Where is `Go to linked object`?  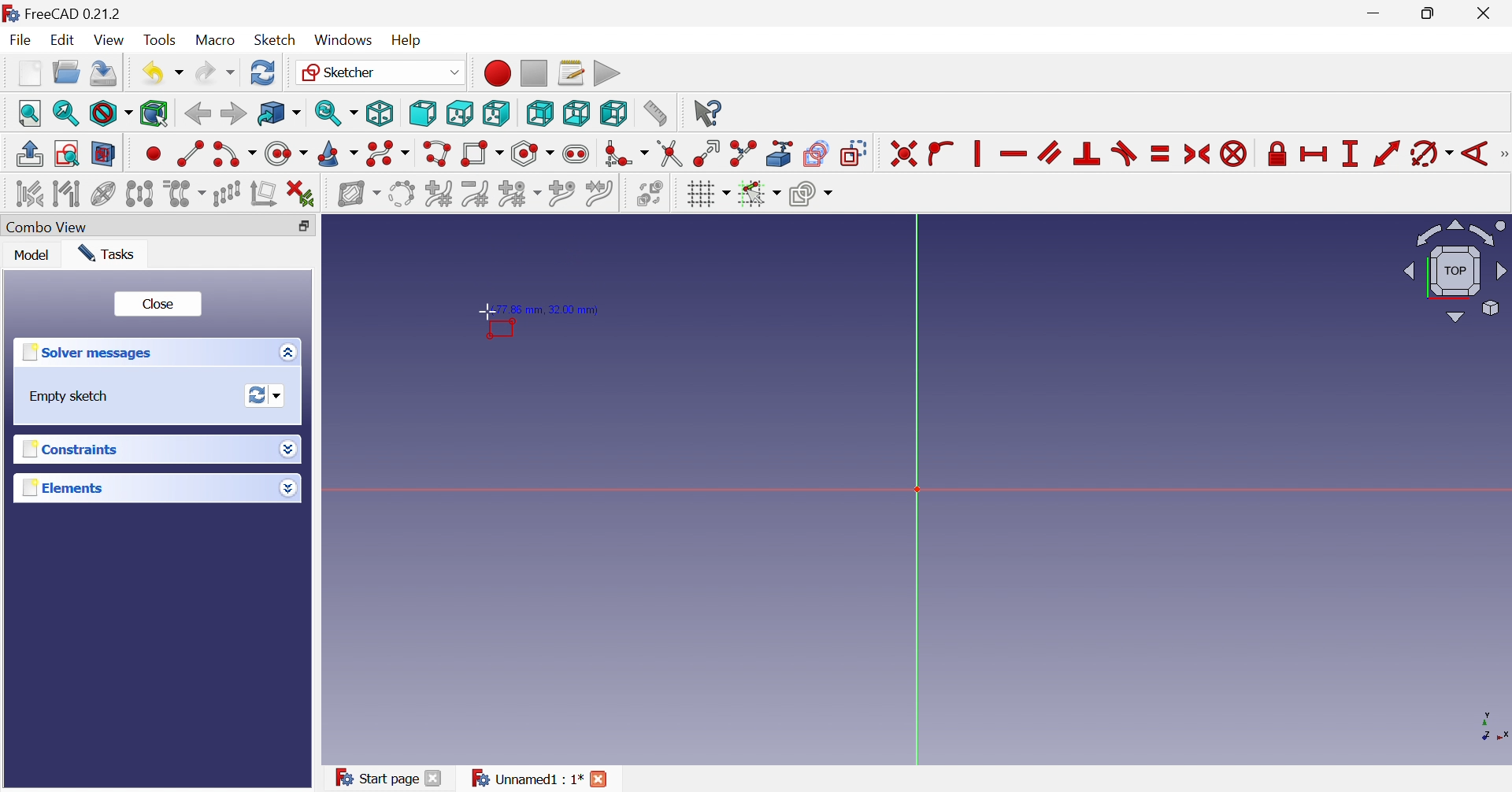
Go to linked object is located at coordinates (279, 114).